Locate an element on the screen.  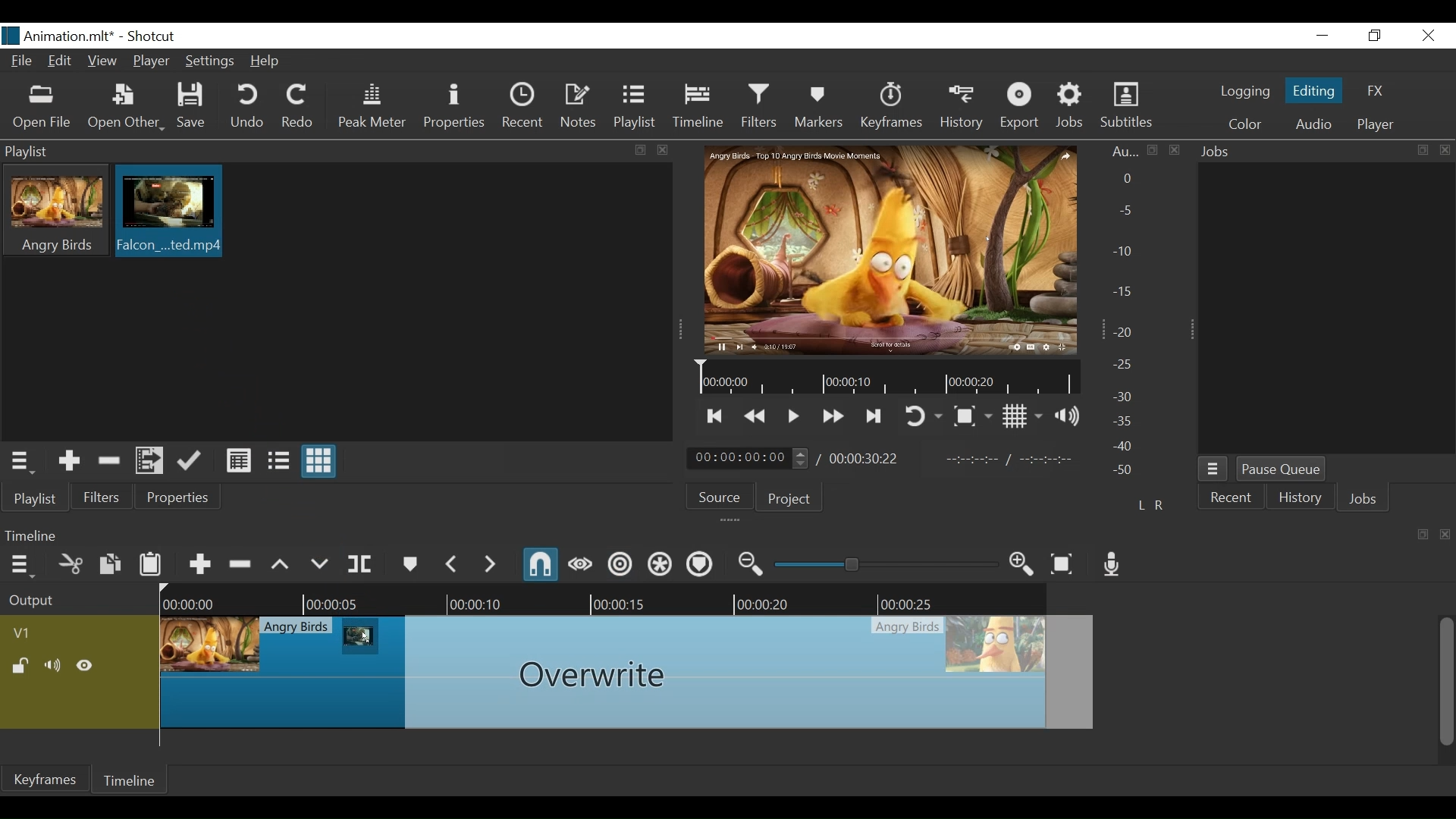
Play backward quickly is located at coordinates (754, 417).